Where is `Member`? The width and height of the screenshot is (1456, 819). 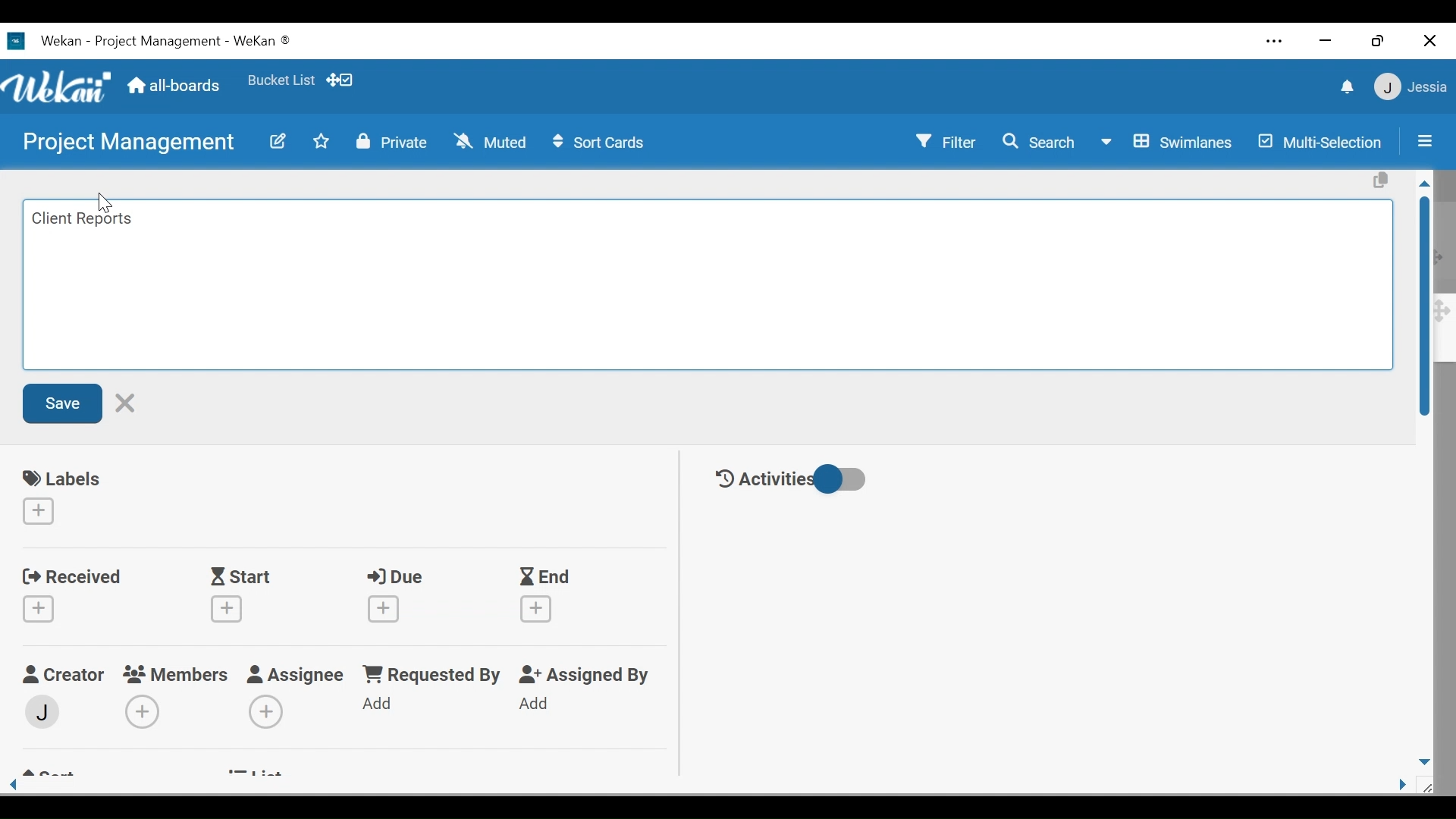 Member is located at coordinates (44, 711).